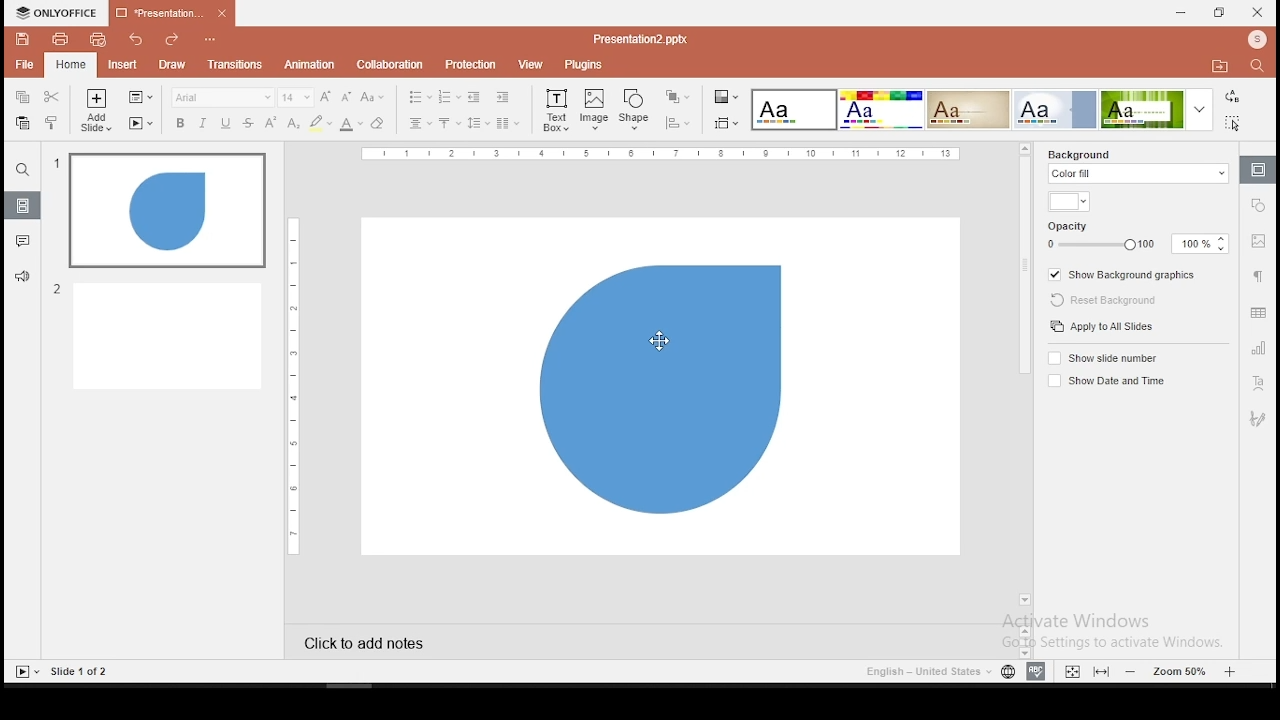 The width and height of the screenshot is (1280, 720). Describe the element at coordinates (1101, 672) in the screenshot. I see `fit to slide` at that location.